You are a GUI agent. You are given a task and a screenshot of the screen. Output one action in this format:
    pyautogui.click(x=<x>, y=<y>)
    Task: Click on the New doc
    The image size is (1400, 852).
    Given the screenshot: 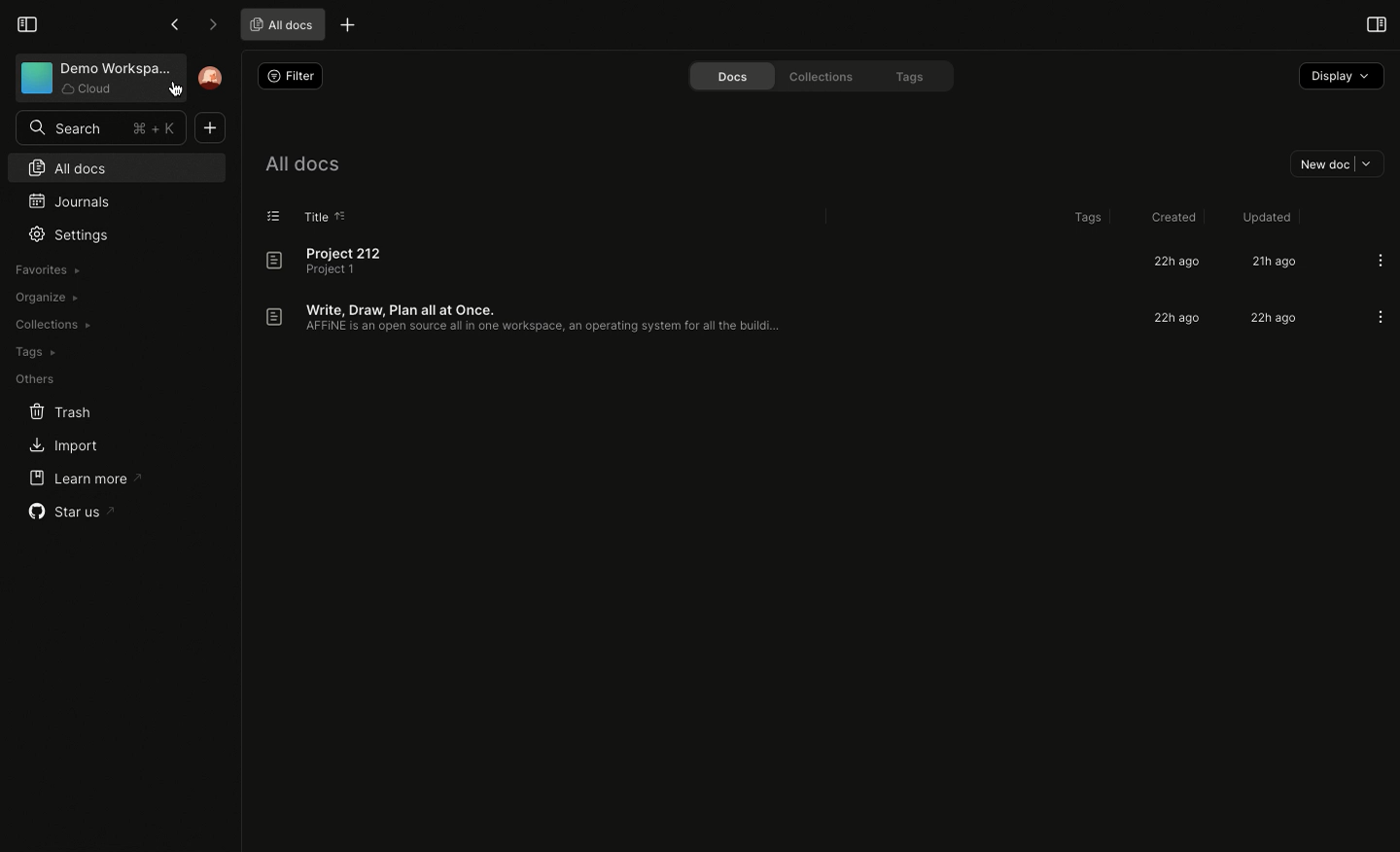 What is the action you would take?
    pyautogui.click(x=1333, y=162)
    